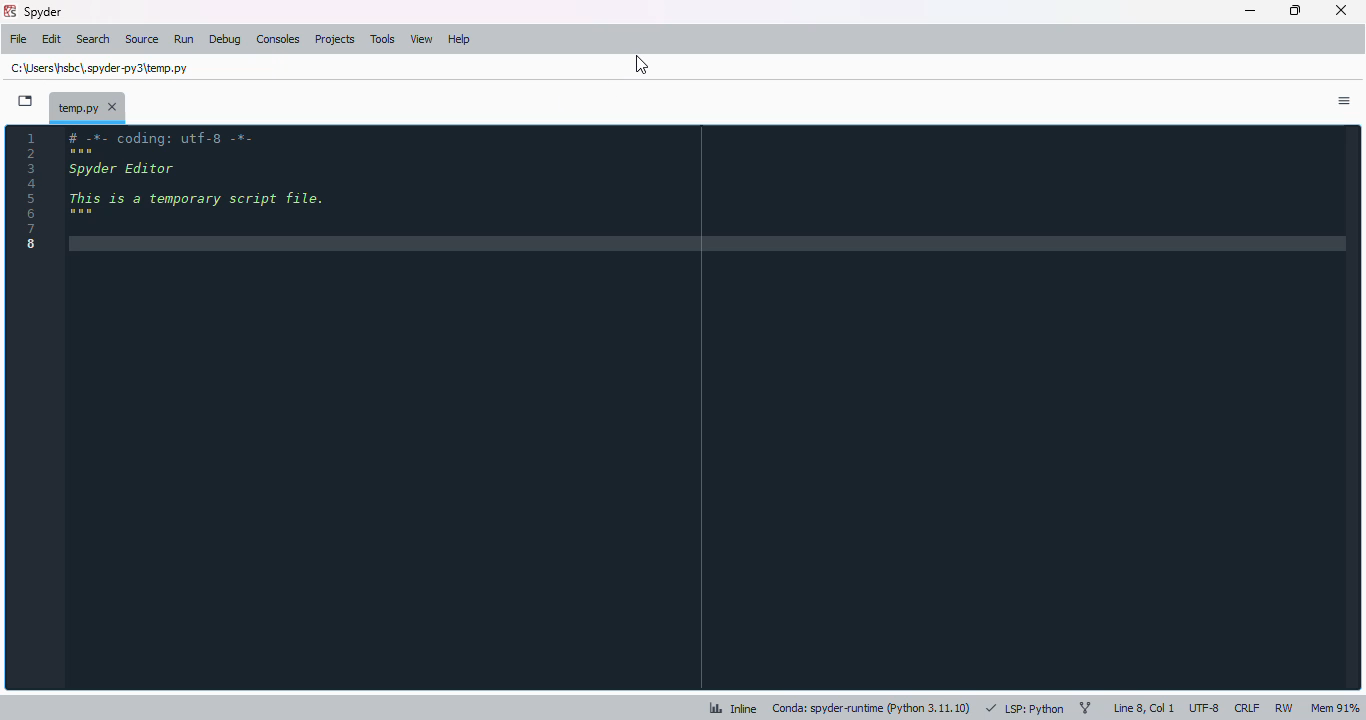 Image resolution: width=1366 pixels, height=720 pixels. I want to click on maximize, so click(1295, 10).